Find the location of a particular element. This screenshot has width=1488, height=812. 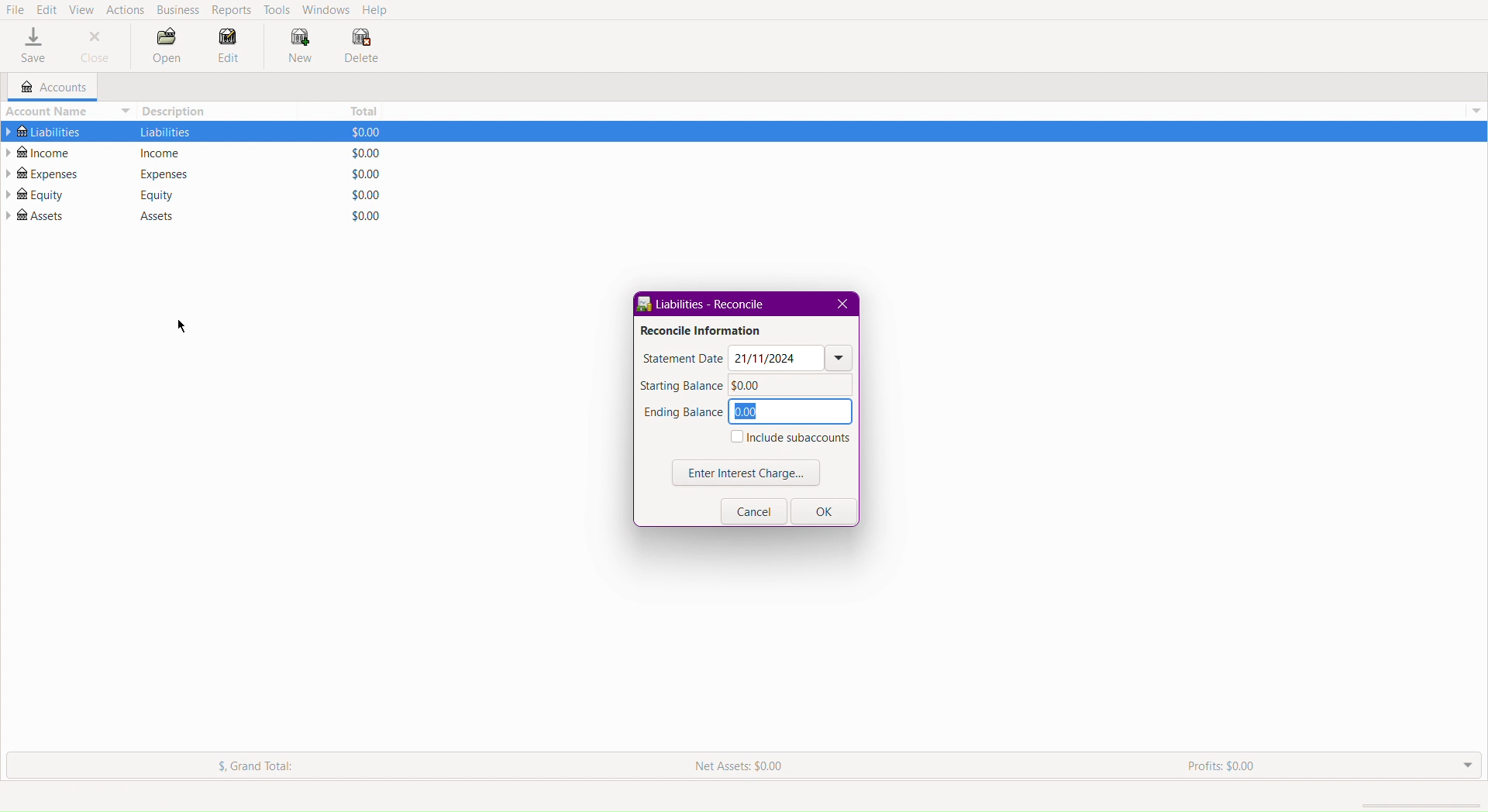

Business is located at coordinates (178, 11).